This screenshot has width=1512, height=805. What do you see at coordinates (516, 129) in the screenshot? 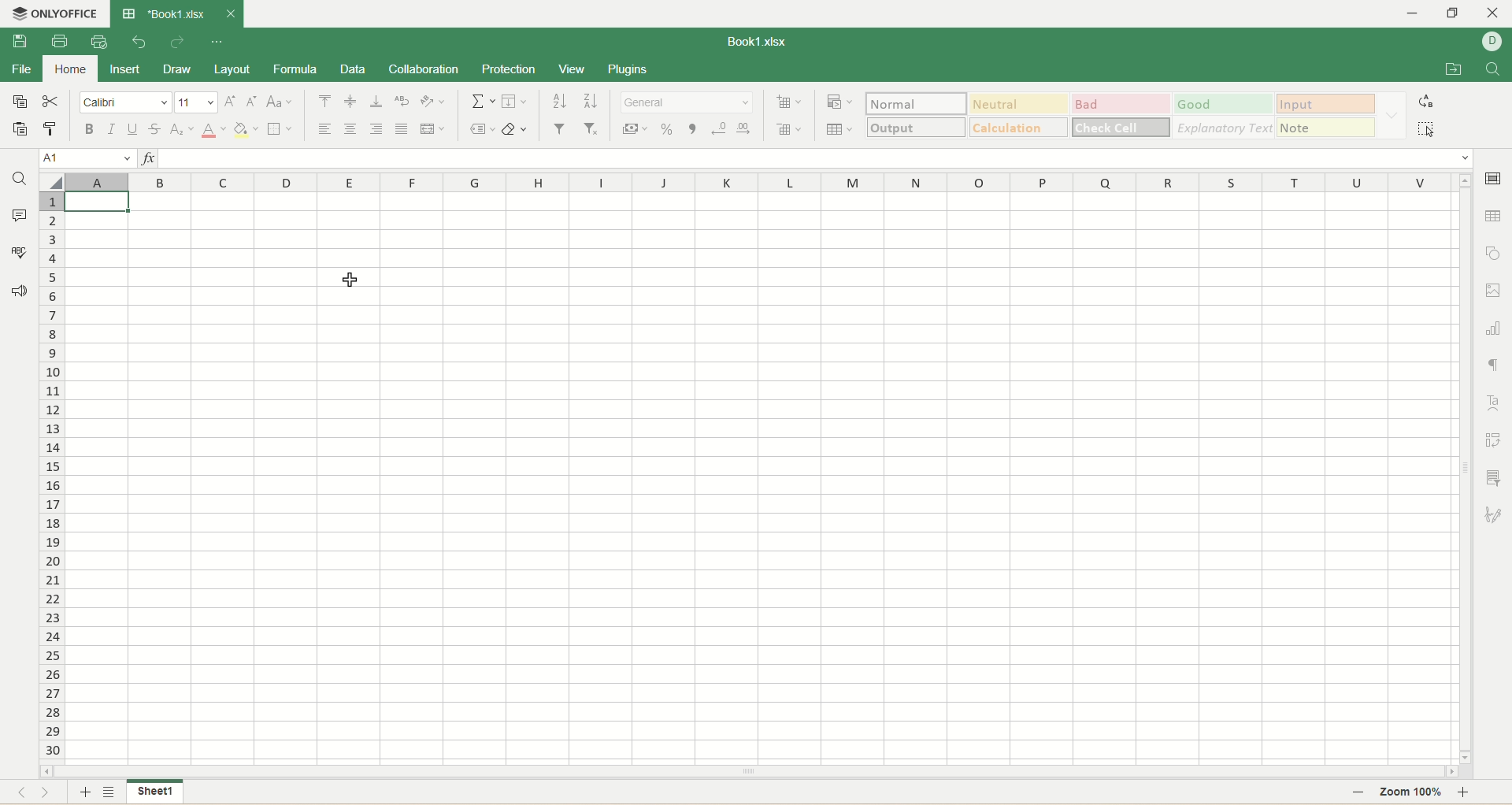
I see `clear` at bounding box center [516, 129].